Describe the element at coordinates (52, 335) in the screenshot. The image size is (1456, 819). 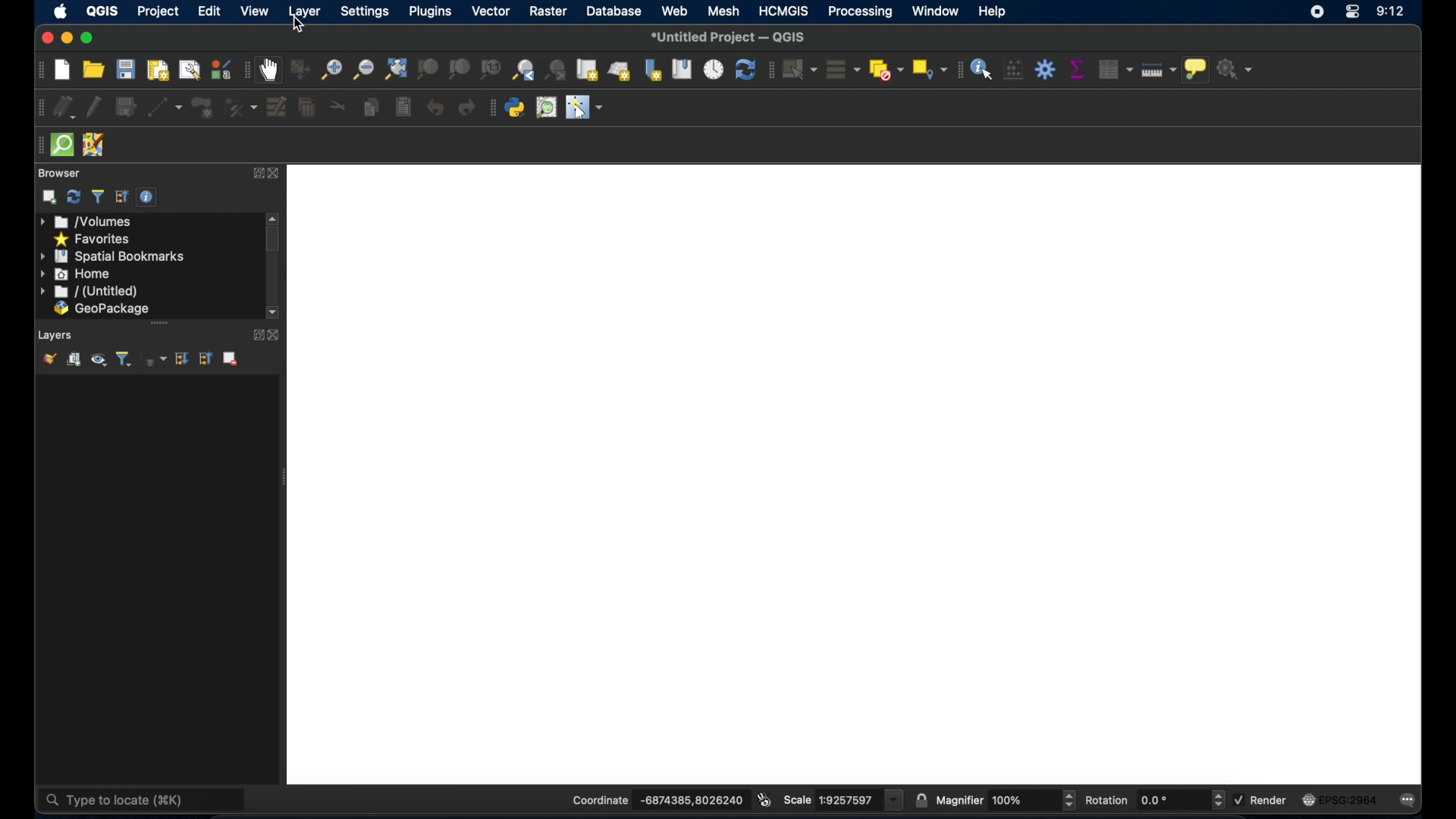
I see `Layers` at that location.